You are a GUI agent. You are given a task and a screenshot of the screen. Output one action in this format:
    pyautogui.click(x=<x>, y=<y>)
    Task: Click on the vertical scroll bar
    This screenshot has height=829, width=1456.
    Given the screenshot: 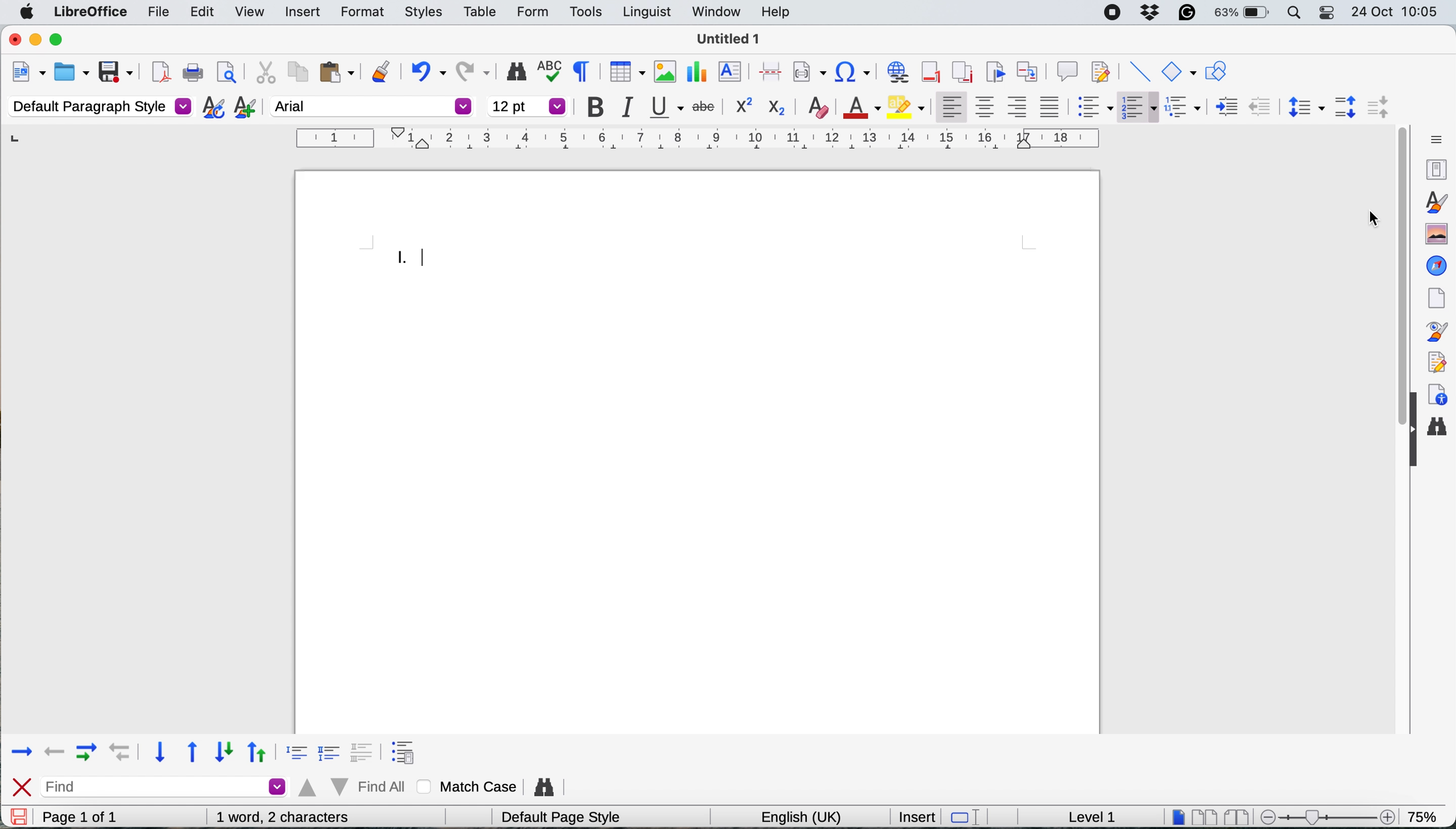 What is the action you would take?
    pyautogui.click(x=1392, y=297)
    